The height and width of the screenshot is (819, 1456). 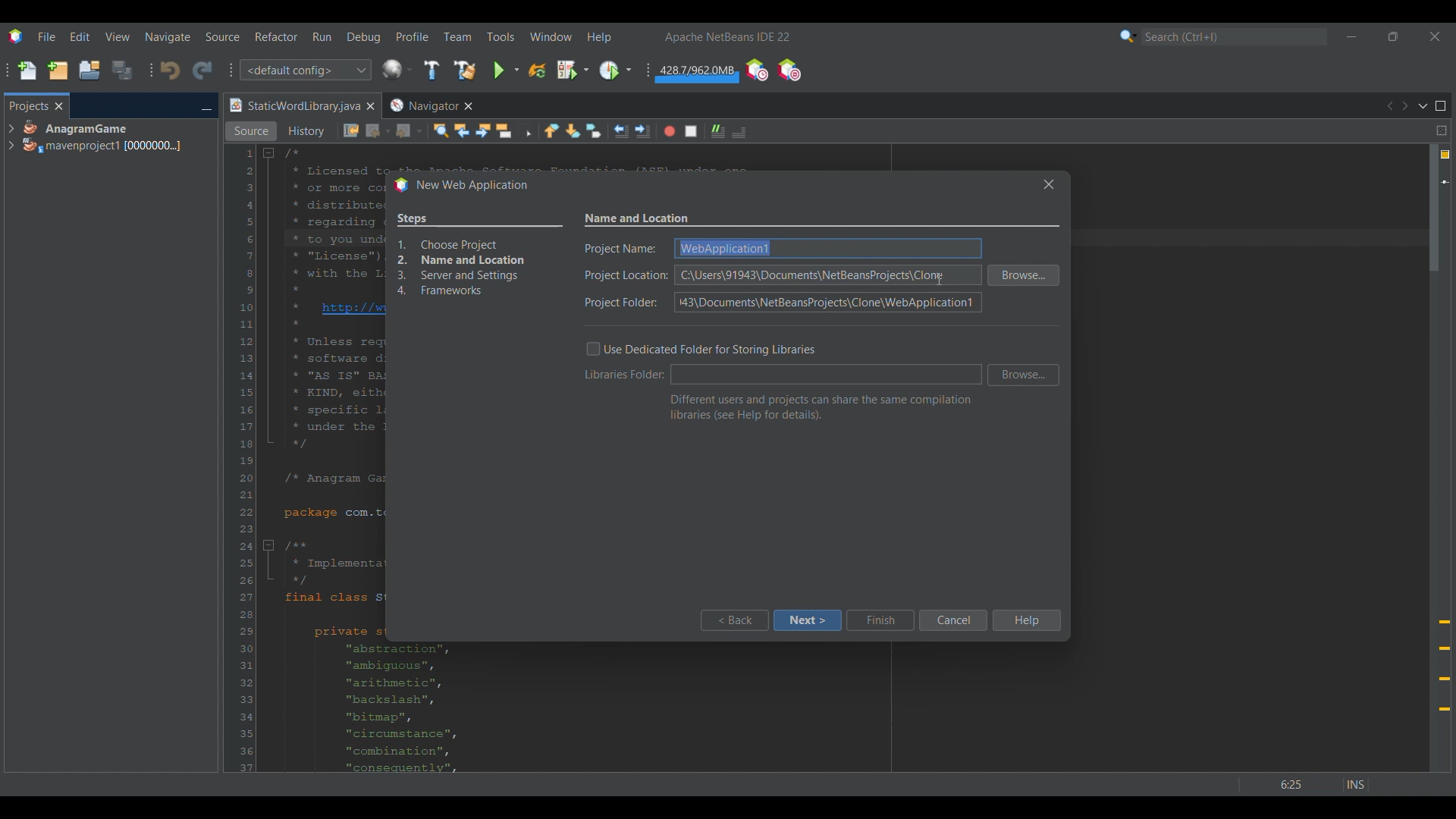 What do you see at coordinates (593, 130) in the screenshot?
I see `Toggle bookmarks` at bounding box center [593, 130].